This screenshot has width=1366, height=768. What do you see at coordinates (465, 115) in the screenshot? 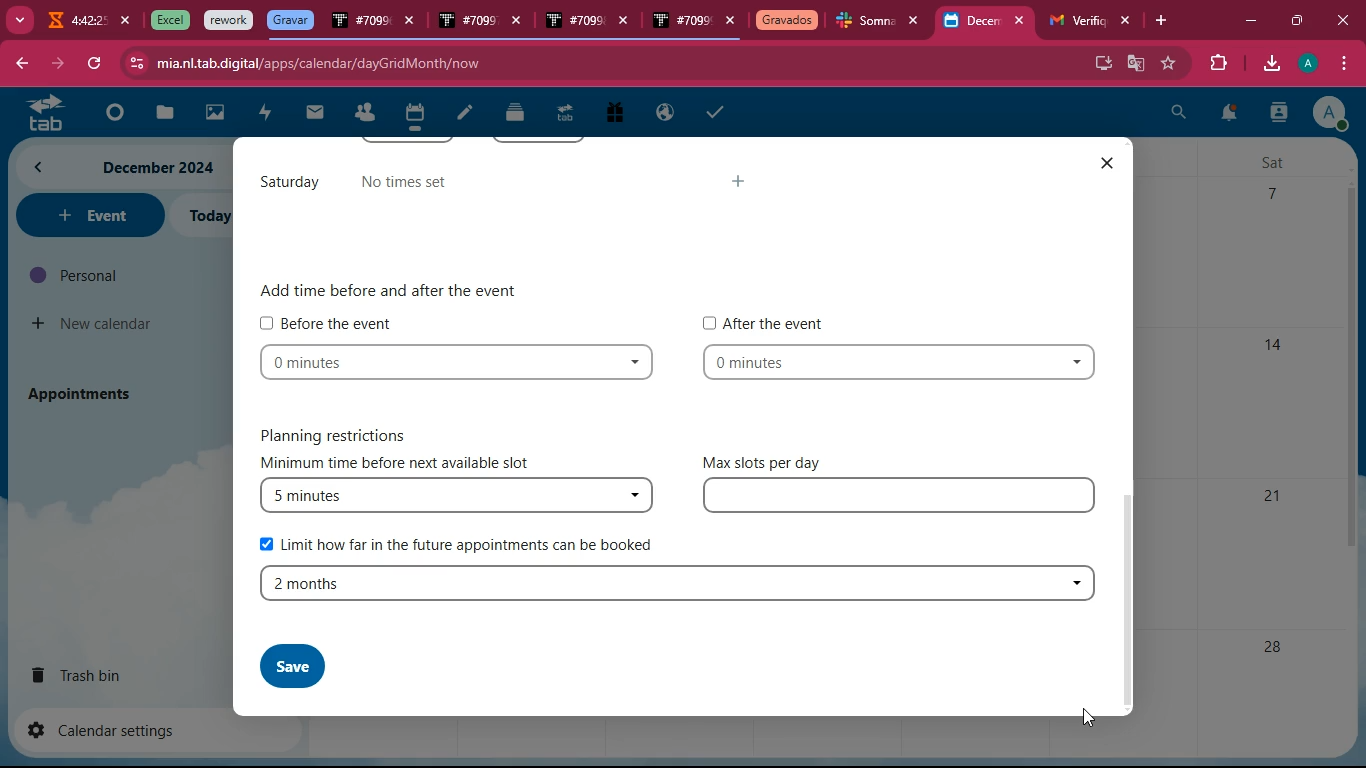
I see `edit` at bounding box center [465, 115].